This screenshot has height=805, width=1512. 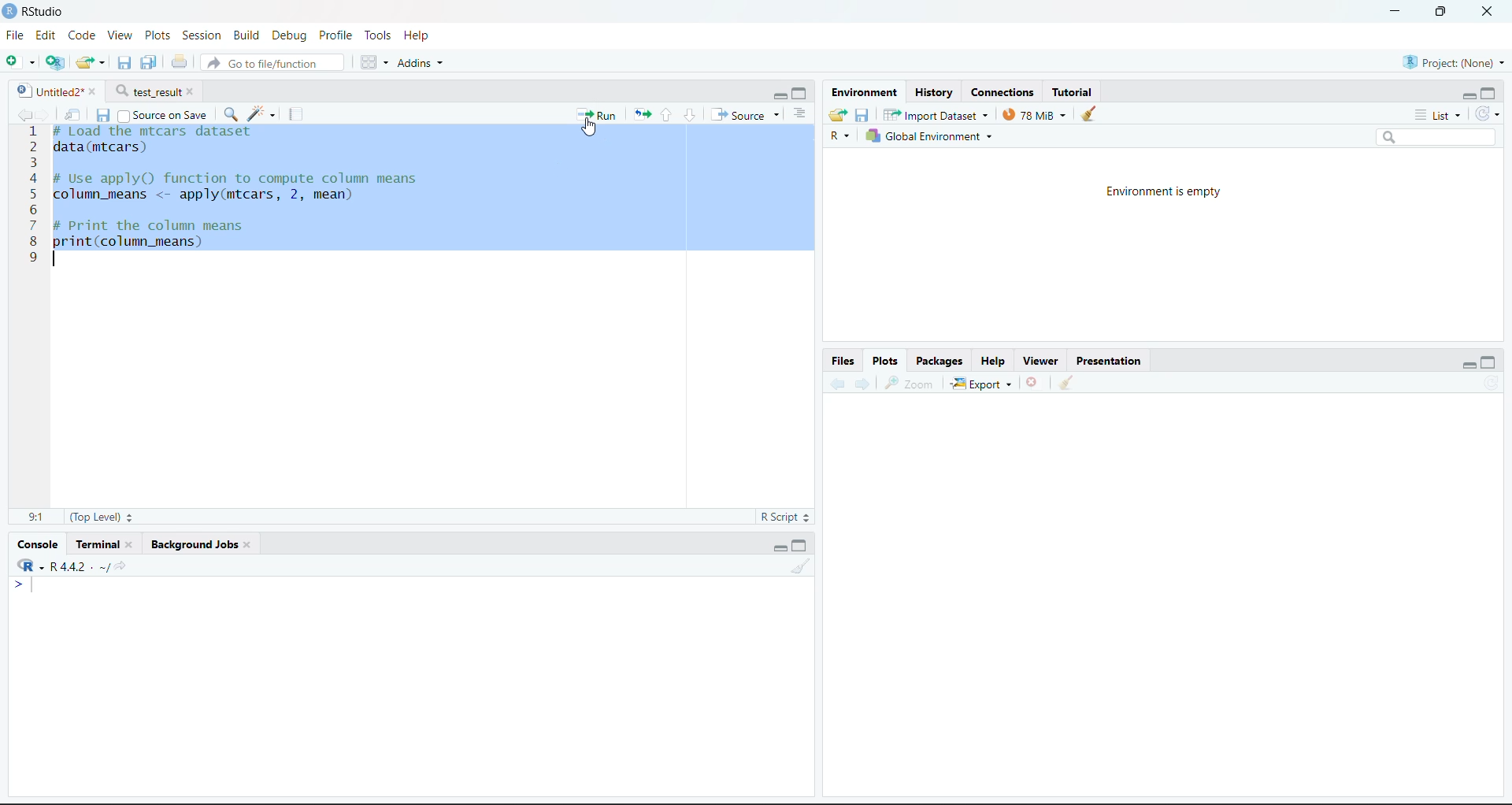 I want to click on File, so click(x=13, y=35).